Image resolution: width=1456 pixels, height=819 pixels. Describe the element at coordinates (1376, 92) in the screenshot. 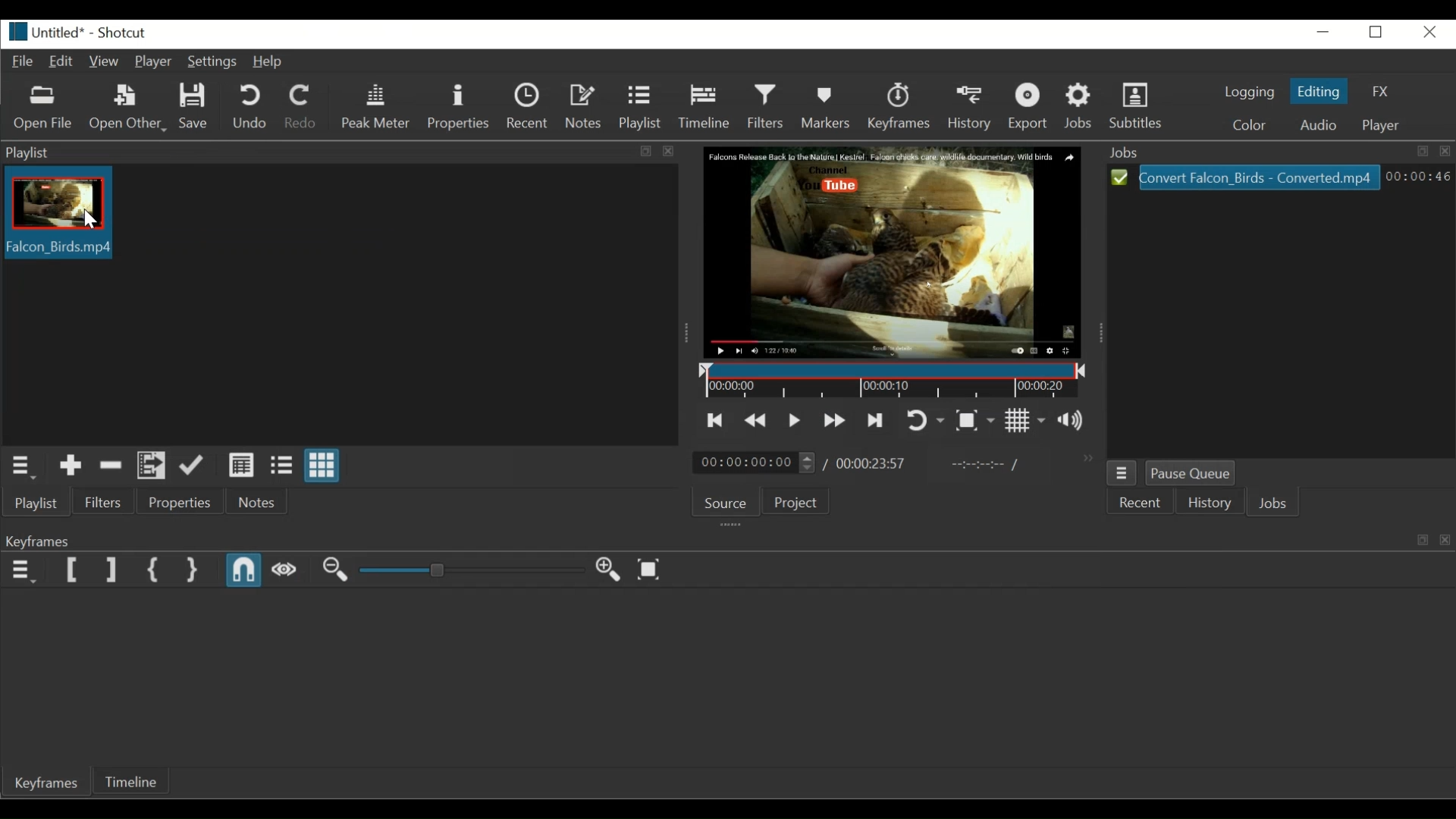

I see `FX` at that location.